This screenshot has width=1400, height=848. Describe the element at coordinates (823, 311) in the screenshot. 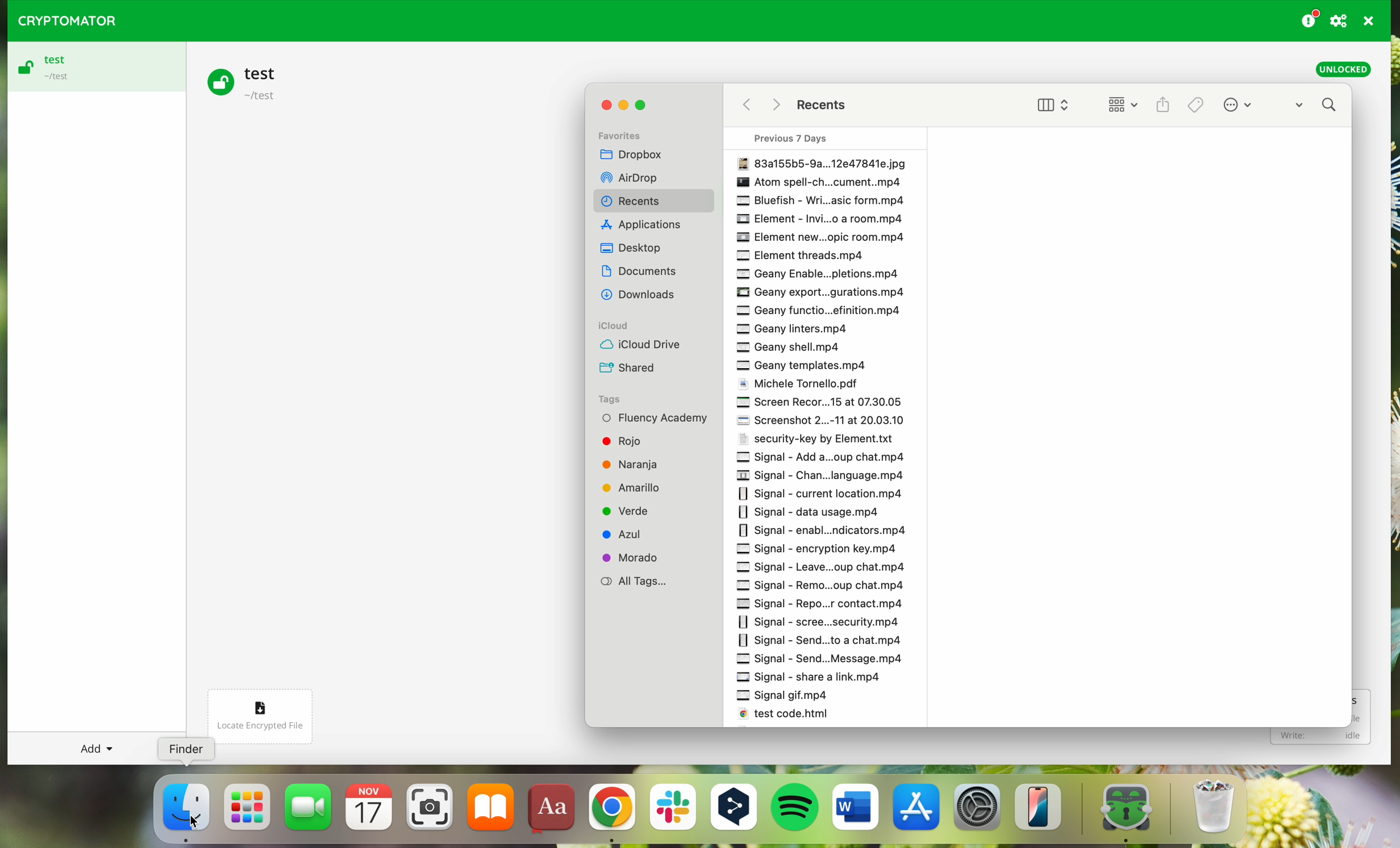

I see `Geany function` at that location.